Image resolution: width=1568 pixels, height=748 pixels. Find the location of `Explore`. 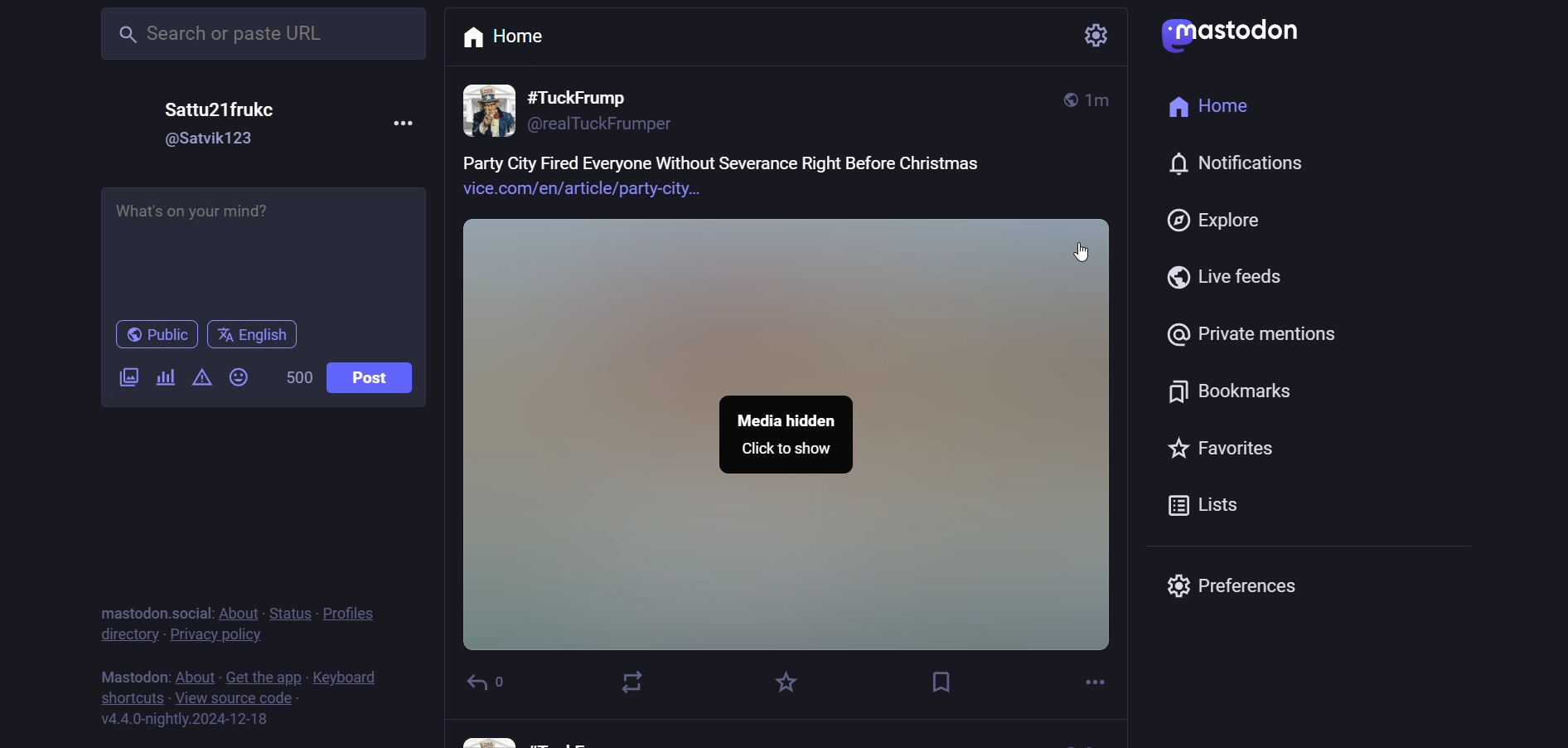

Explore is located at coordinates (1224, 221).